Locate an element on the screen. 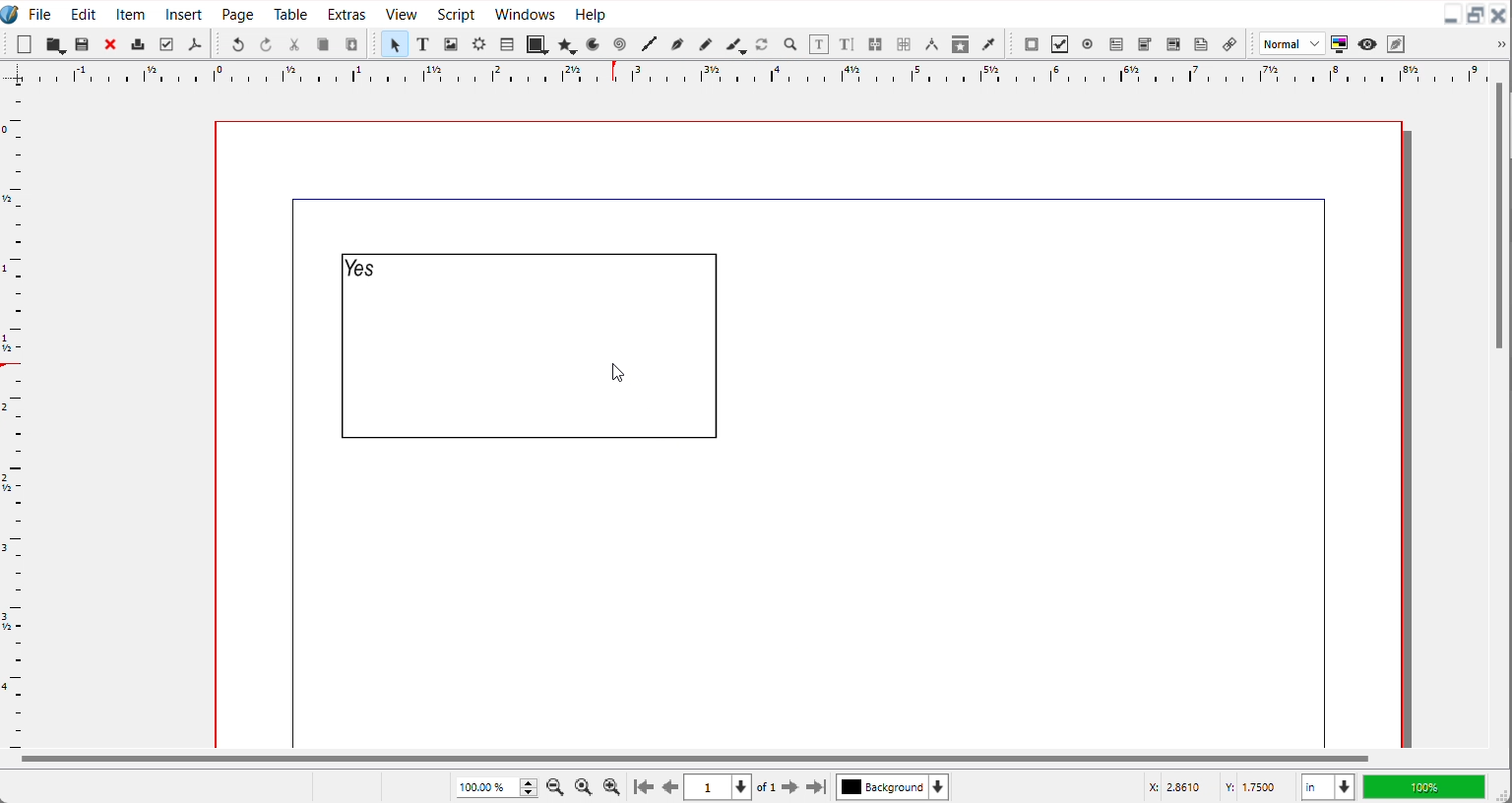 Image resolution: width=1512 pixels, height=803 pixels. Open is located at coordinates (84, 45).